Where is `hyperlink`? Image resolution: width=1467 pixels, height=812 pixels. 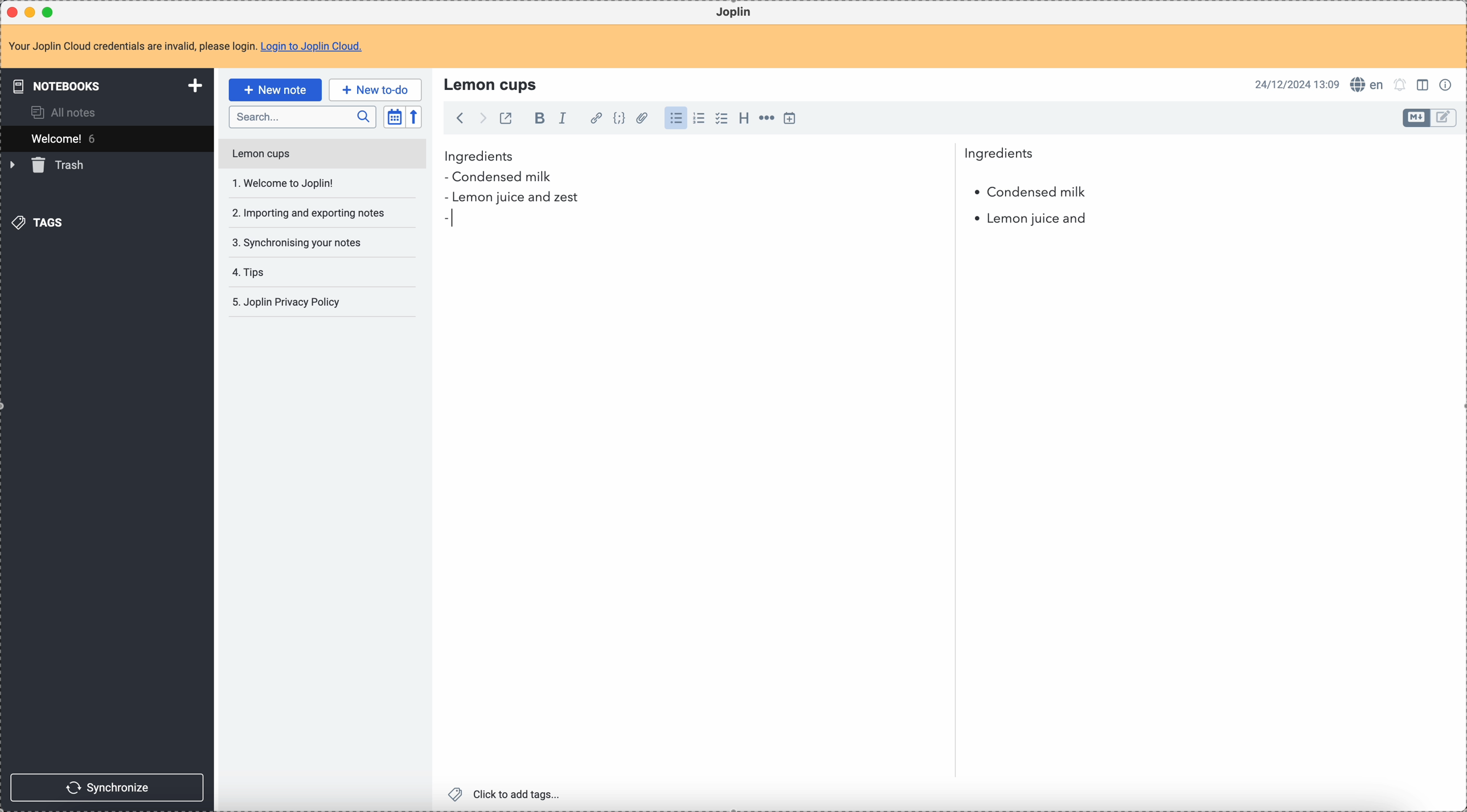
hyperlink is located at coordinates (594, 119).